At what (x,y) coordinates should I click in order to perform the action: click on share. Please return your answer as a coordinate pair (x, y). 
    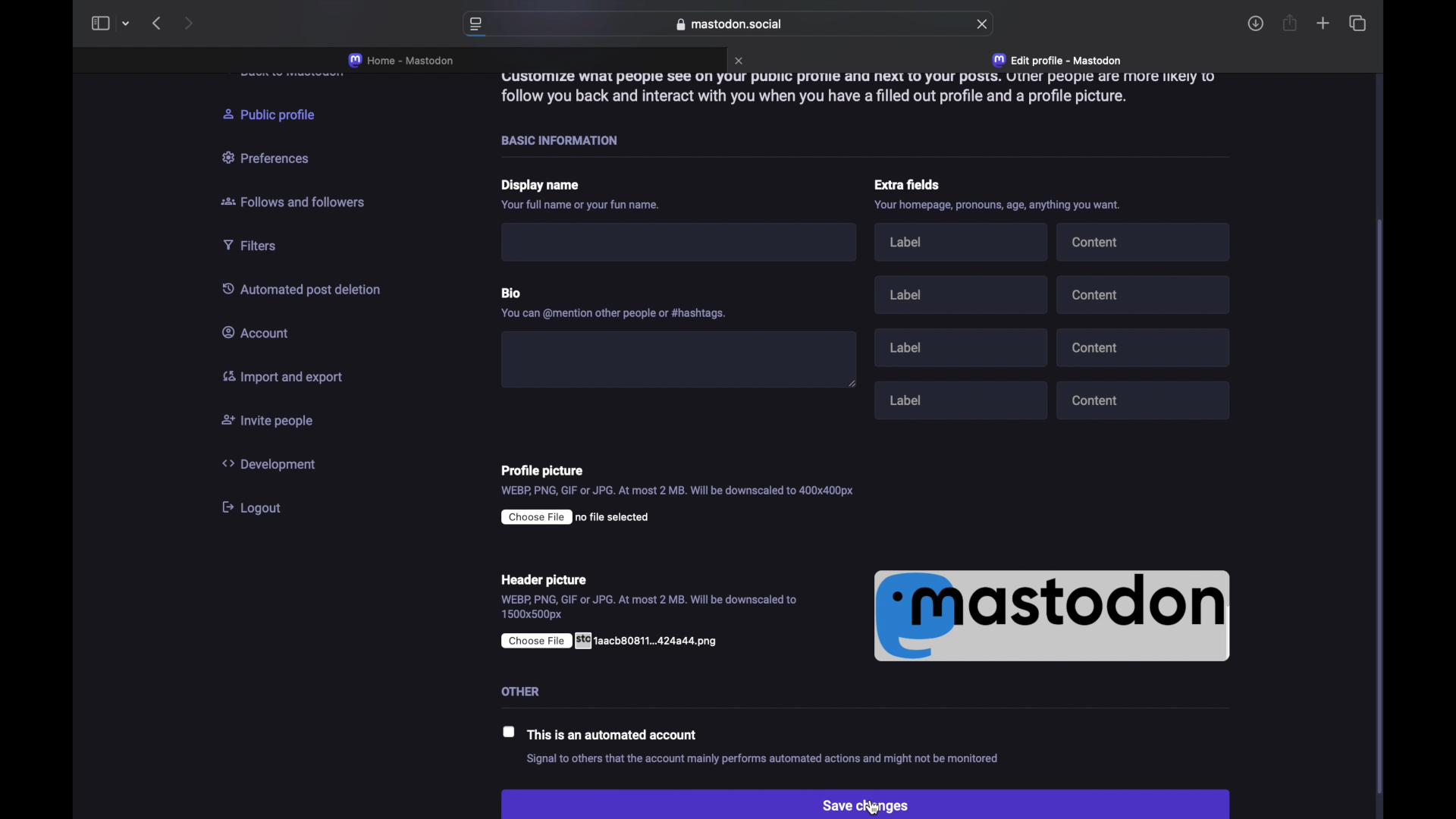
    Looking at the image, I should click on (1291, 23).